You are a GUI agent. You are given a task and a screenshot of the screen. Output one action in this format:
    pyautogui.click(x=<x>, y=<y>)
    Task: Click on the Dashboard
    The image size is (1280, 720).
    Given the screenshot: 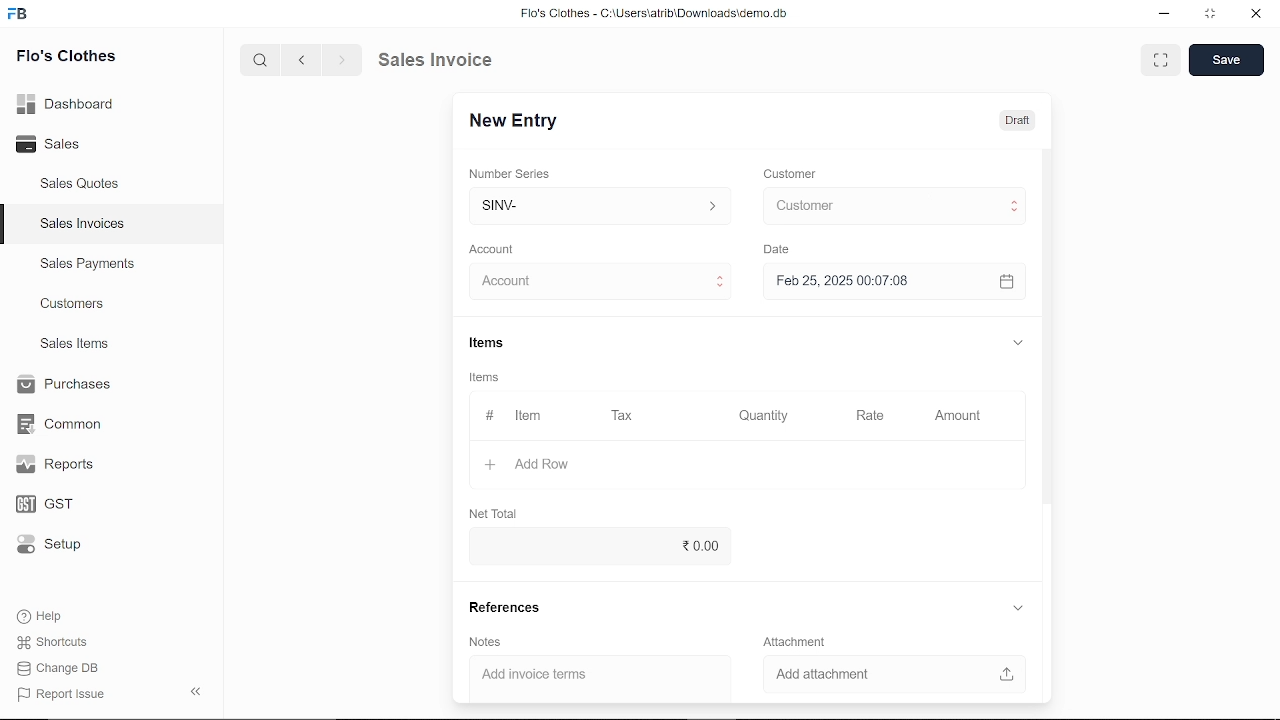 What is the action you would take?
    pyautogui.click(x=67, y=107)
    